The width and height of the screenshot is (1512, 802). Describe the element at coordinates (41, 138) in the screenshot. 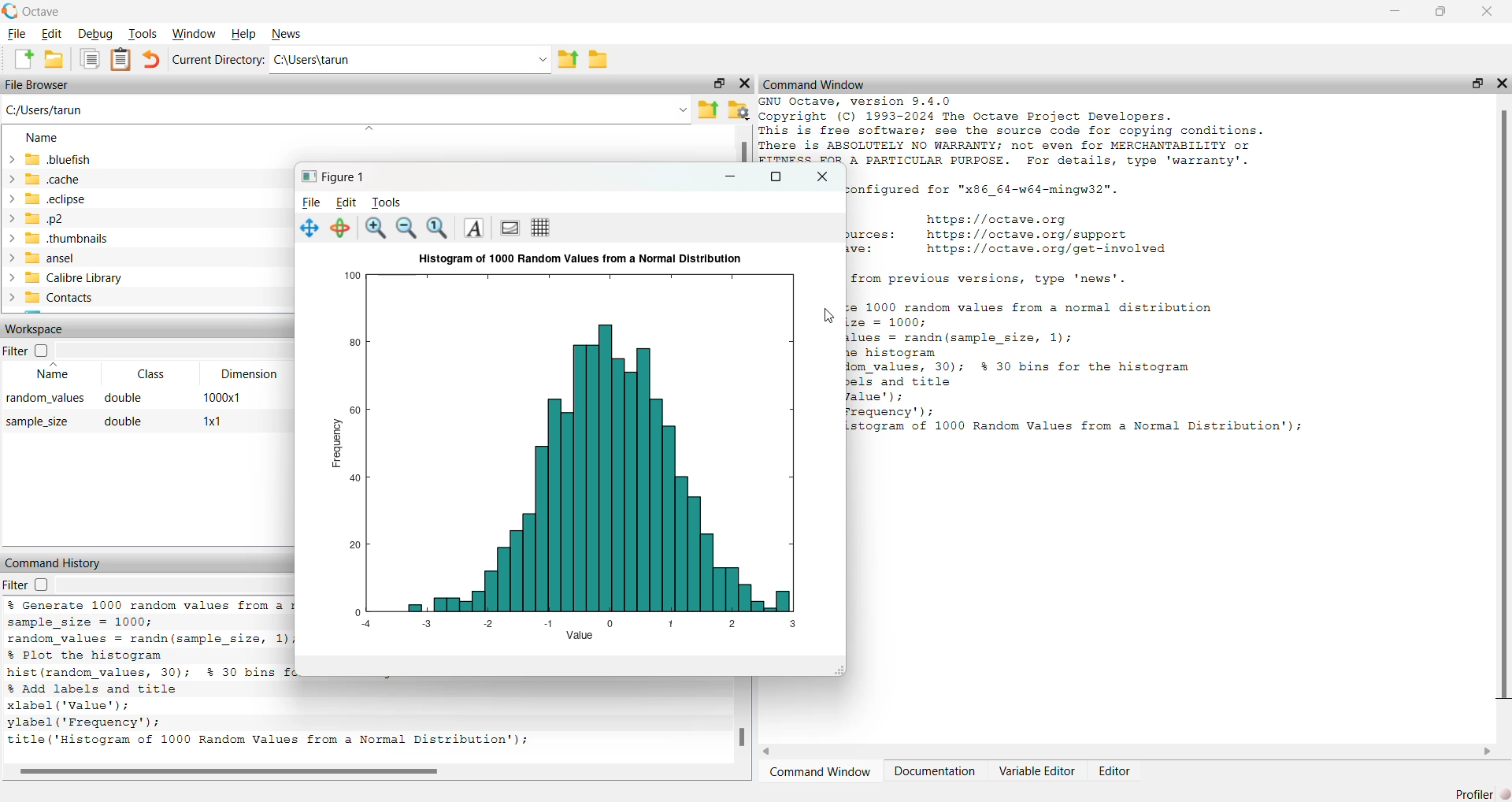

I see `Name` at that location.